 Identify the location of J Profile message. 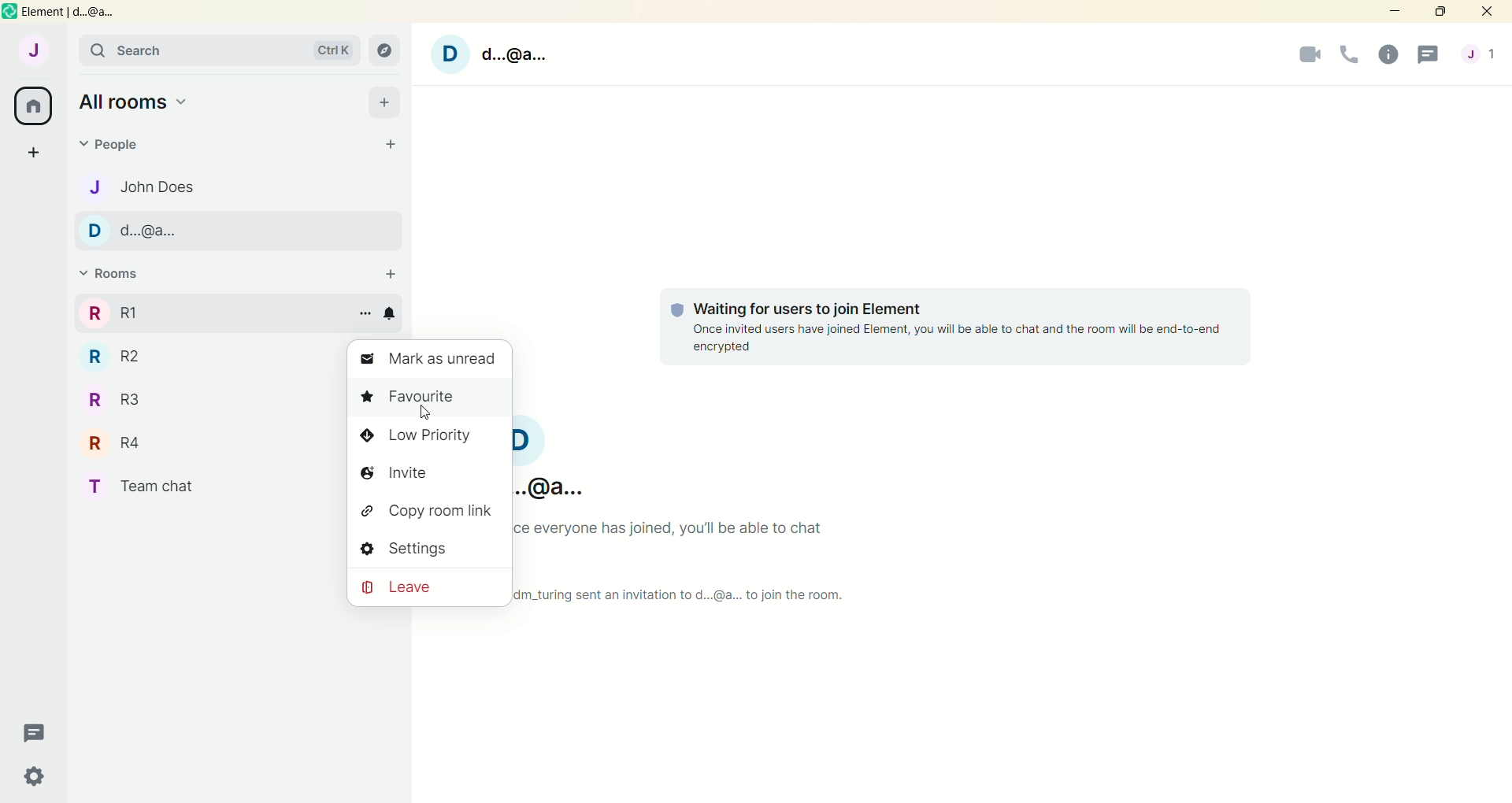
(1482, 56).